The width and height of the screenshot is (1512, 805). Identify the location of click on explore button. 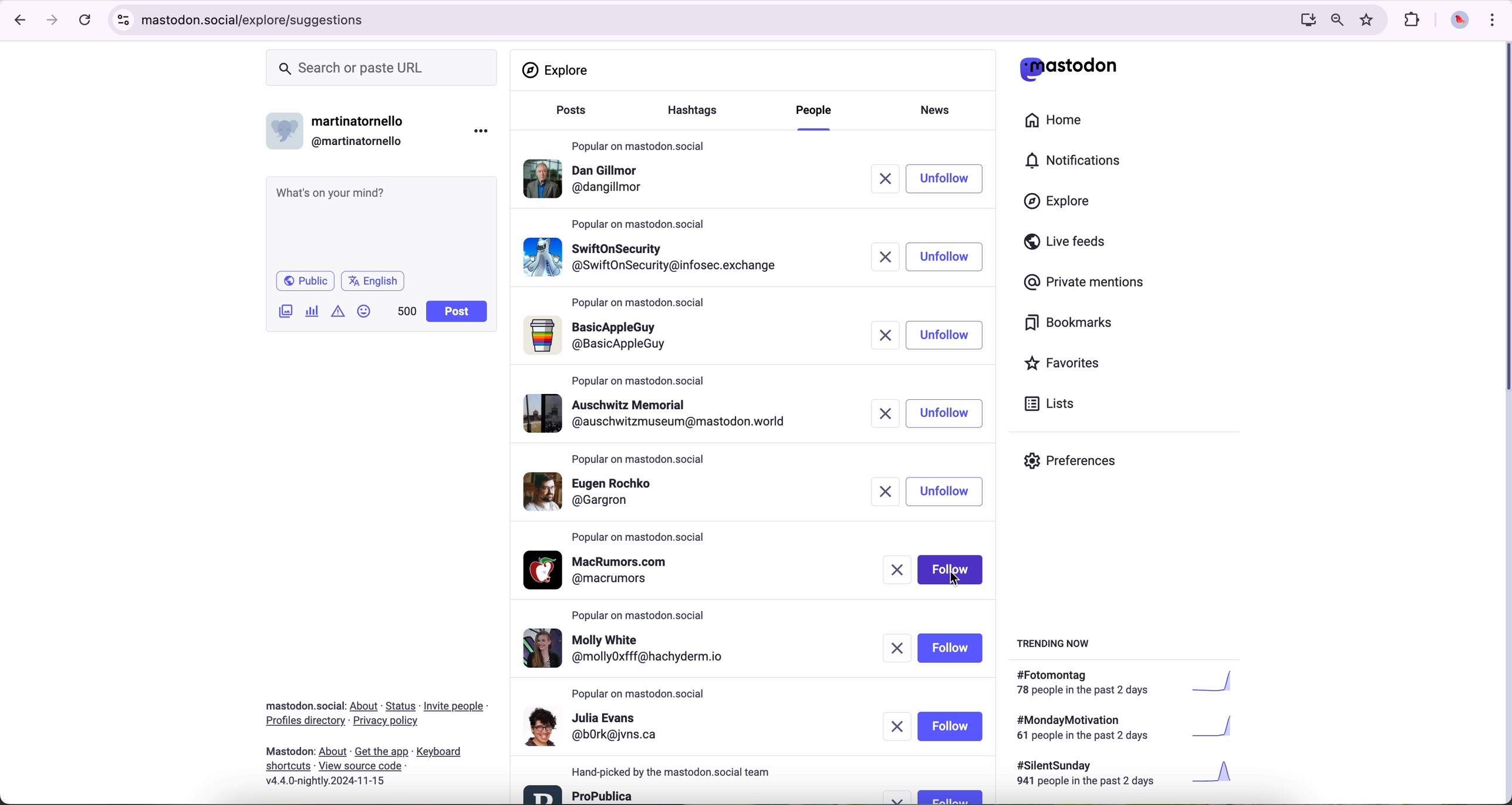
(1060, 207).